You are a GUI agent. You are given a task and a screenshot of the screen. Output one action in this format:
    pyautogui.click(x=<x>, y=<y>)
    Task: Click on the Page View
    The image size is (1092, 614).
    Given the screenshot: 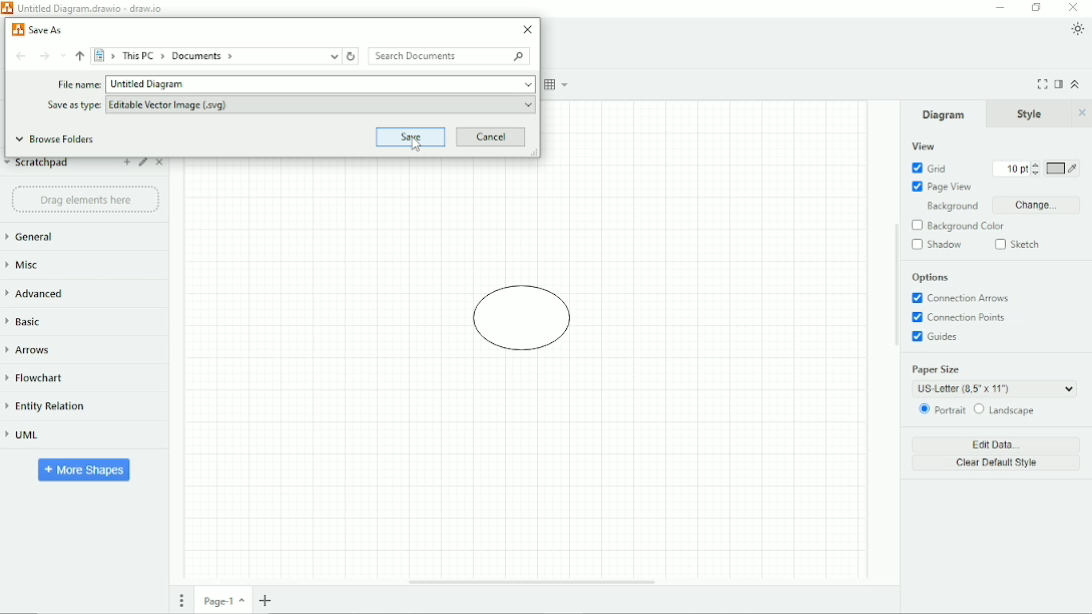 What is the action you would take?
    pyautogui.click(x=941, y=186)
    